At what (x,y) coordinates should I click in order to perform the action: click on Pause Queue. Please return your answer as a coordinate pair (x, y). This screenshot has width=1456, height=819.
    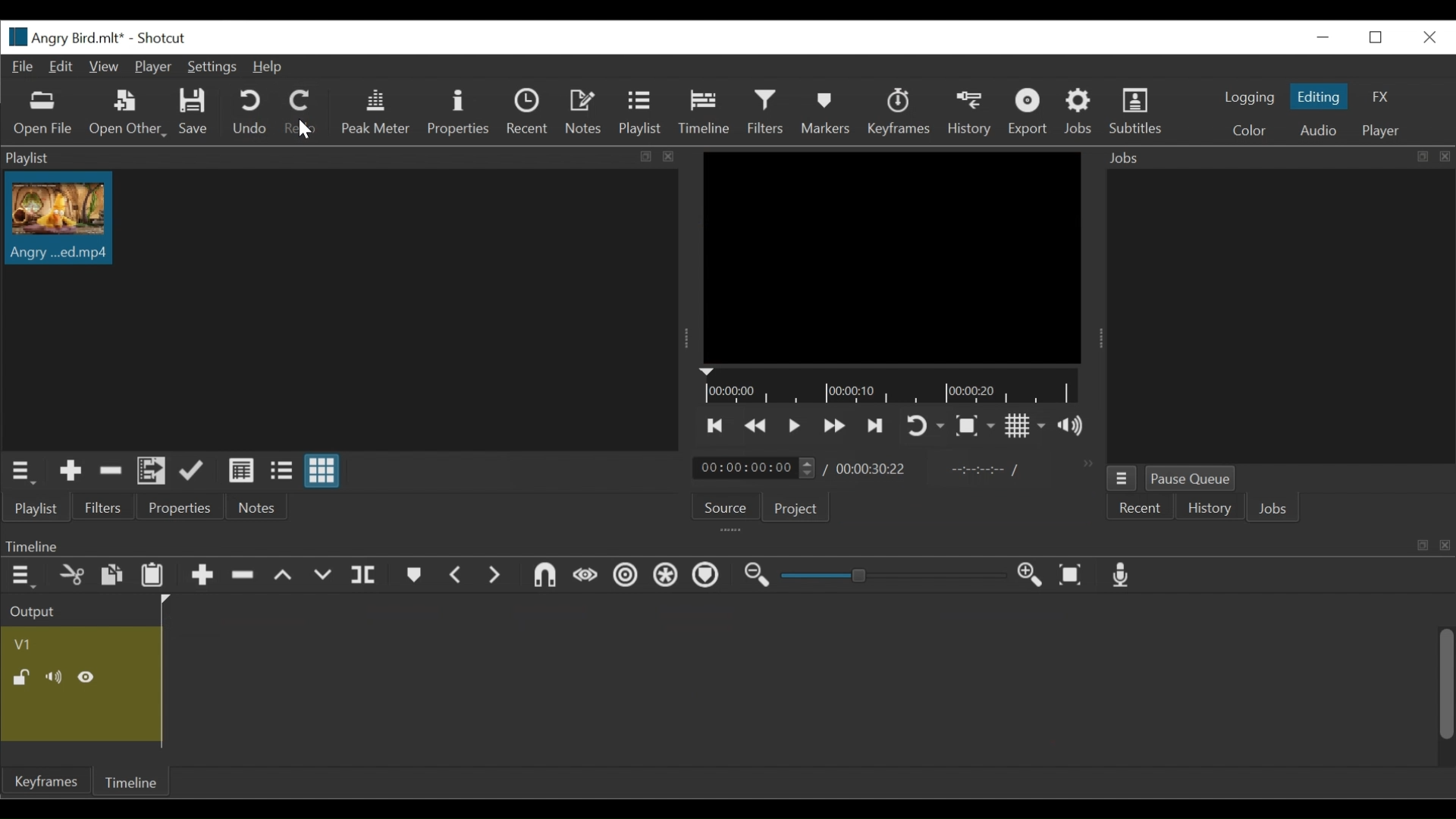
    Looking at the image, I should click on (1193, 479).